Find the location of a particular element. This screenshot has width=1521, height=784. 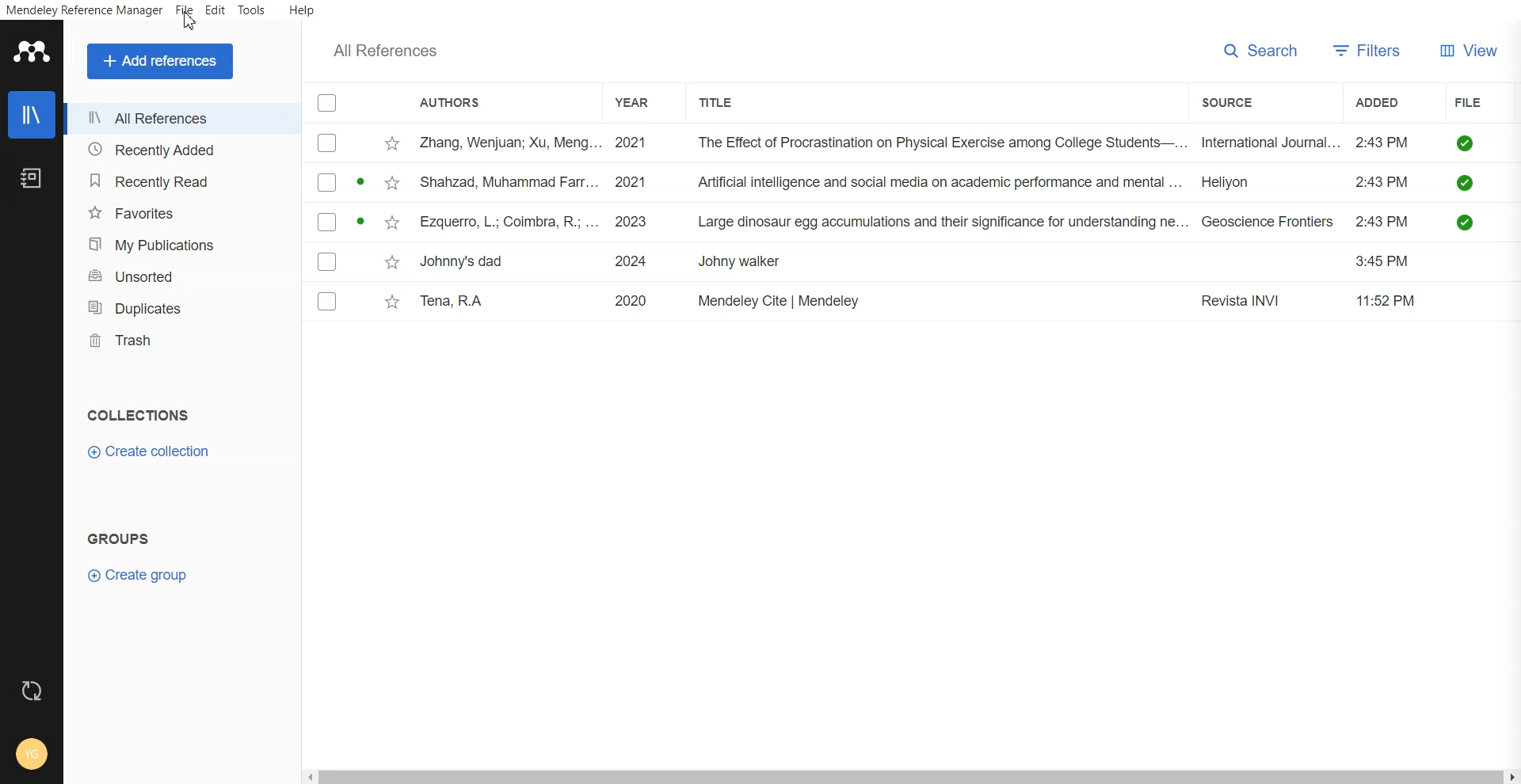

File is located at coordinates (185, 11).